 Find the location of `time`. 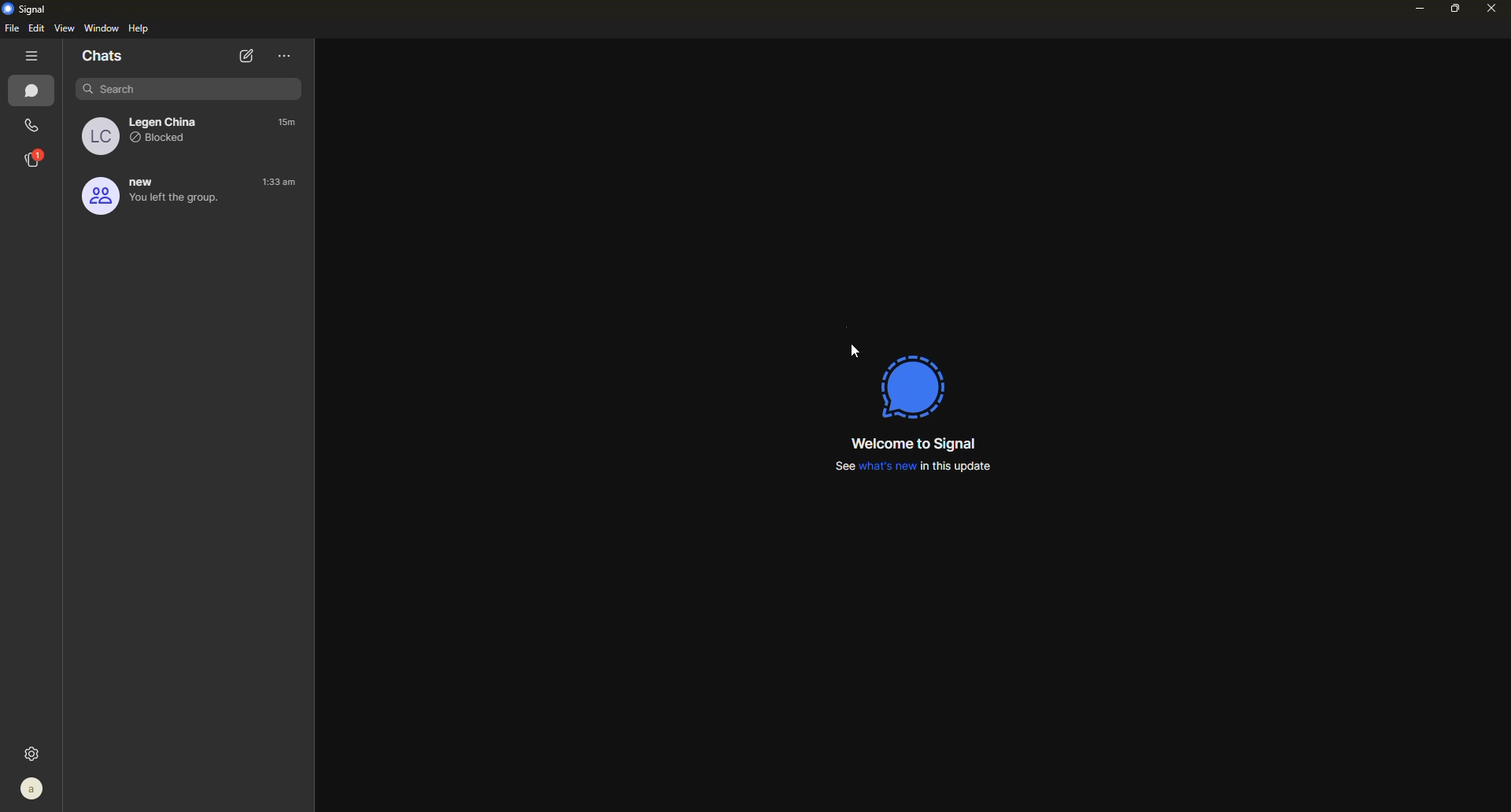

time is located at coordinates (289, 123).